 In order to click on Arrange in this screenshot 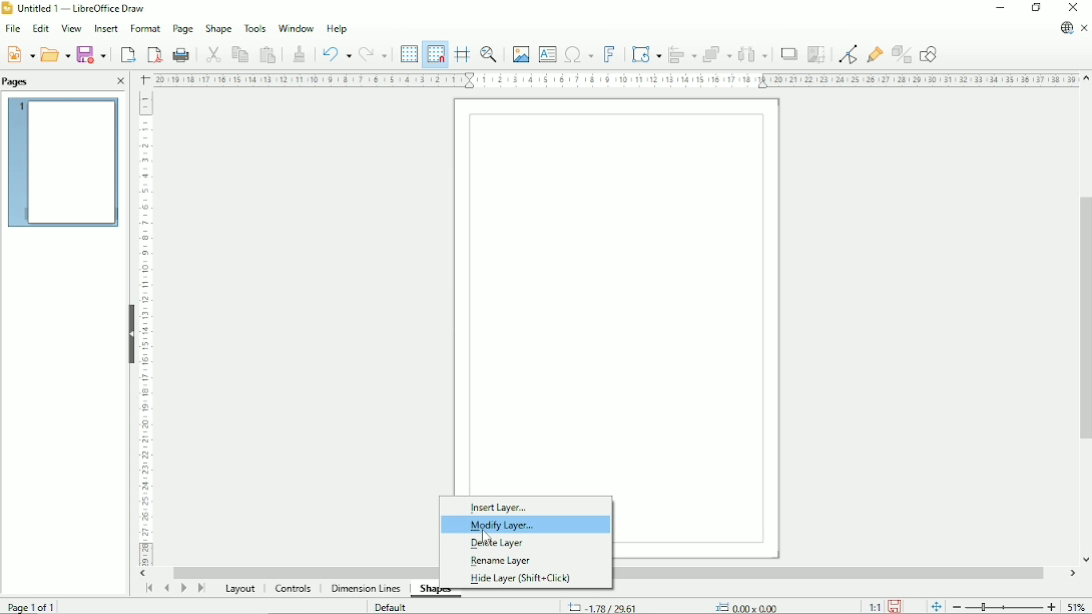, I will do `click(718, 54)`.